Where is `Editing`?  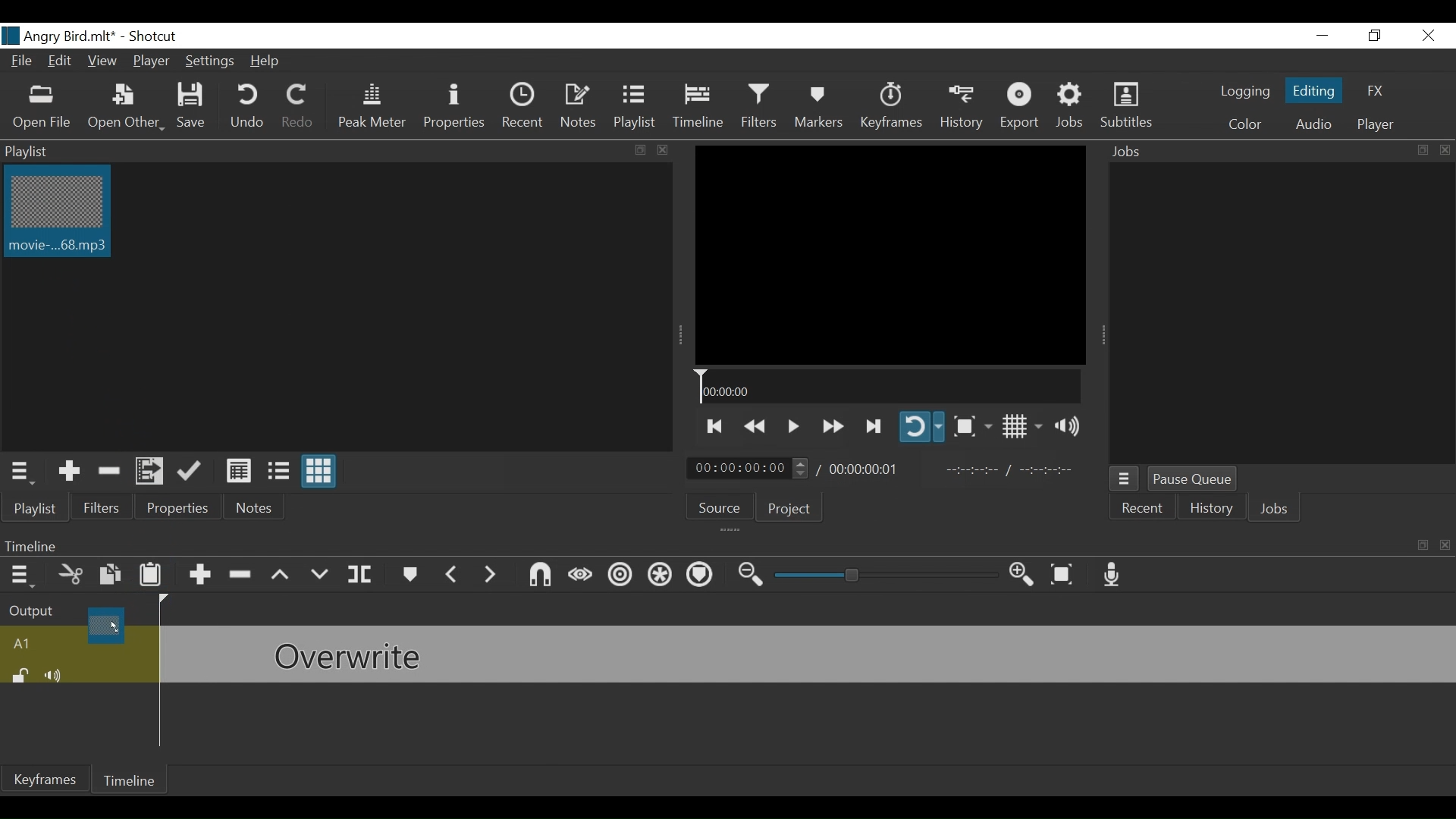
Editing is located at coordinates (1314, 88).